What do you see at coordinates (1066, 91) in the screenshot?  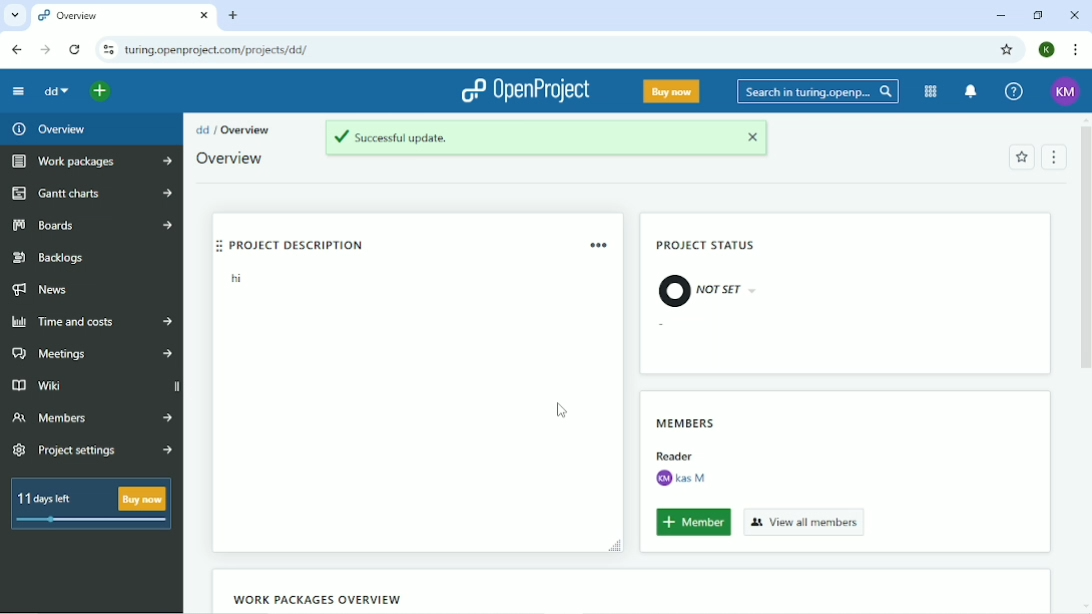 I see `Account` at bounding box center [1066, 91].